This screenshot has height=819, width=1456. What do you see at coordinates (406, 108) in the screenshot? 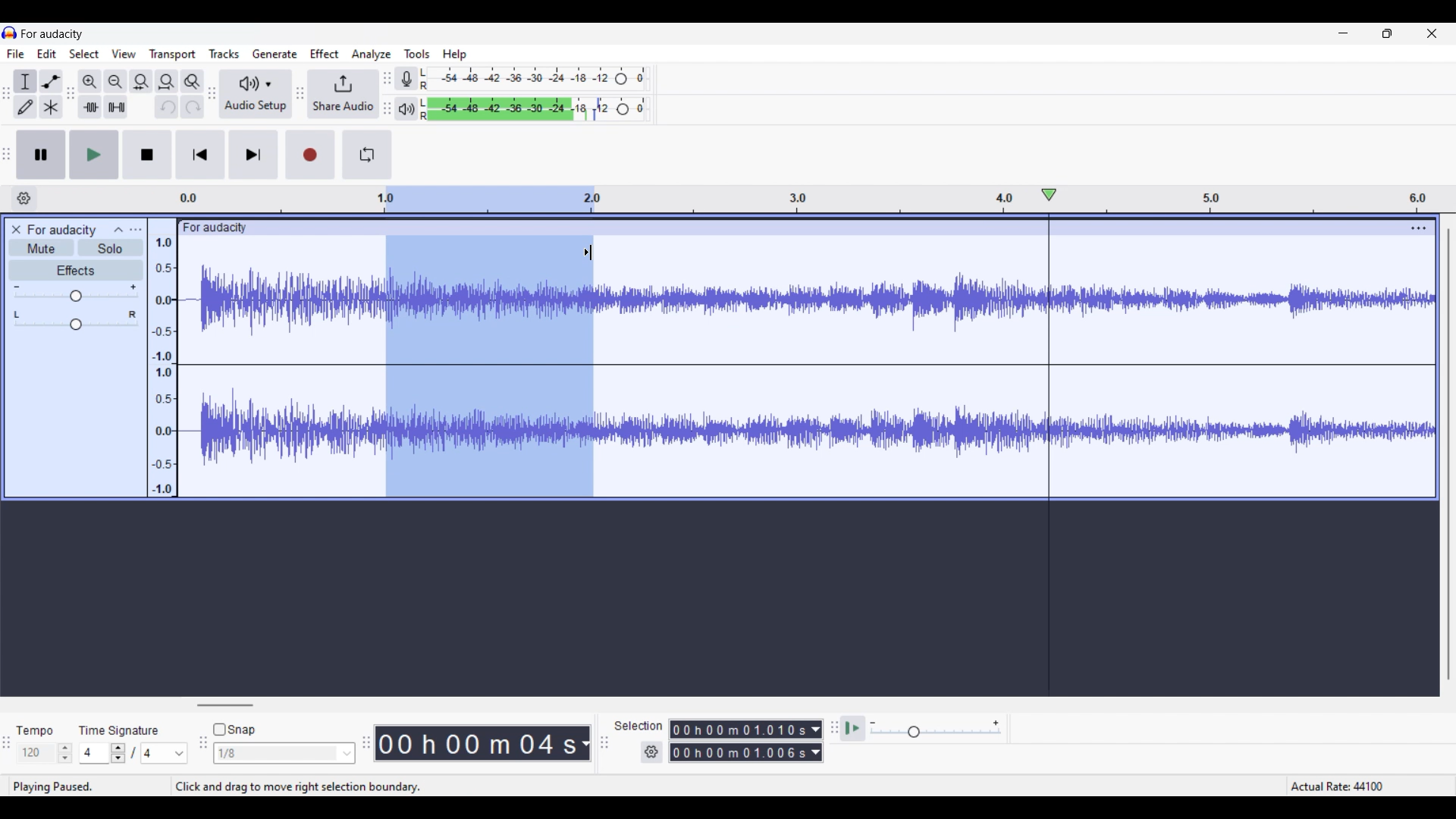
I see `Playback meter` at bounding box center [406, 108].